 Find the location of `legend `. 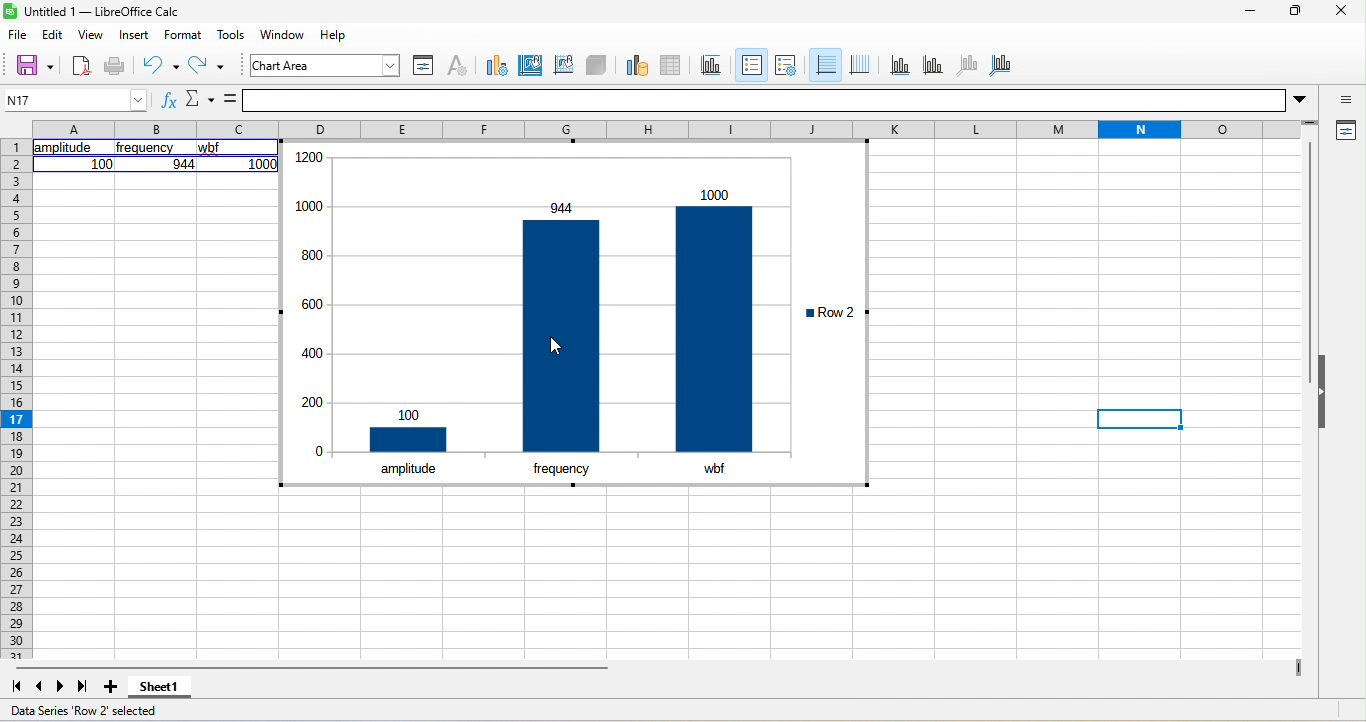

legend  is located at coordinates (787, 68).